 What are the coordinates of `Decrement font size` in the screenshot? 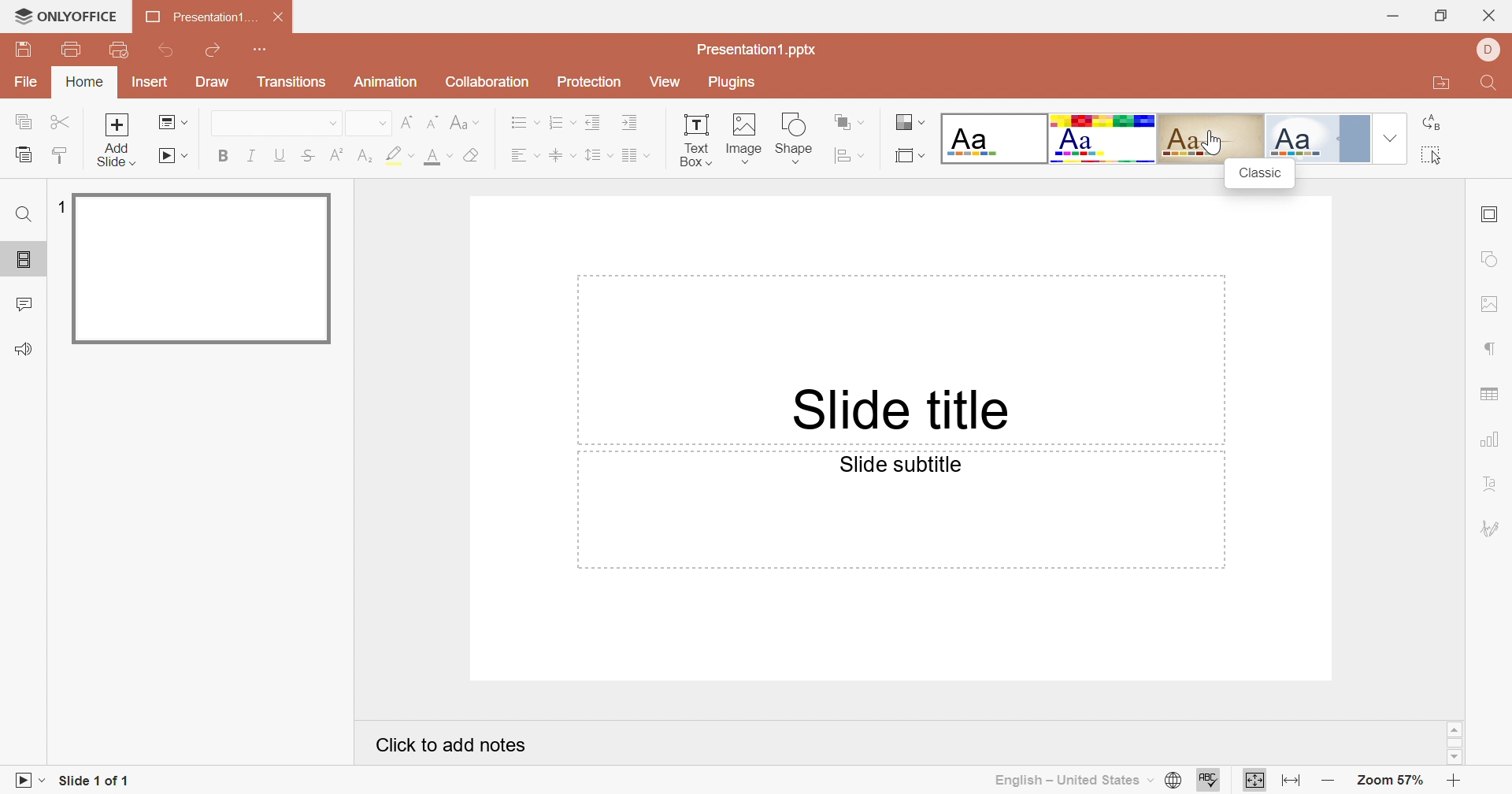 It's located at (434, 121).